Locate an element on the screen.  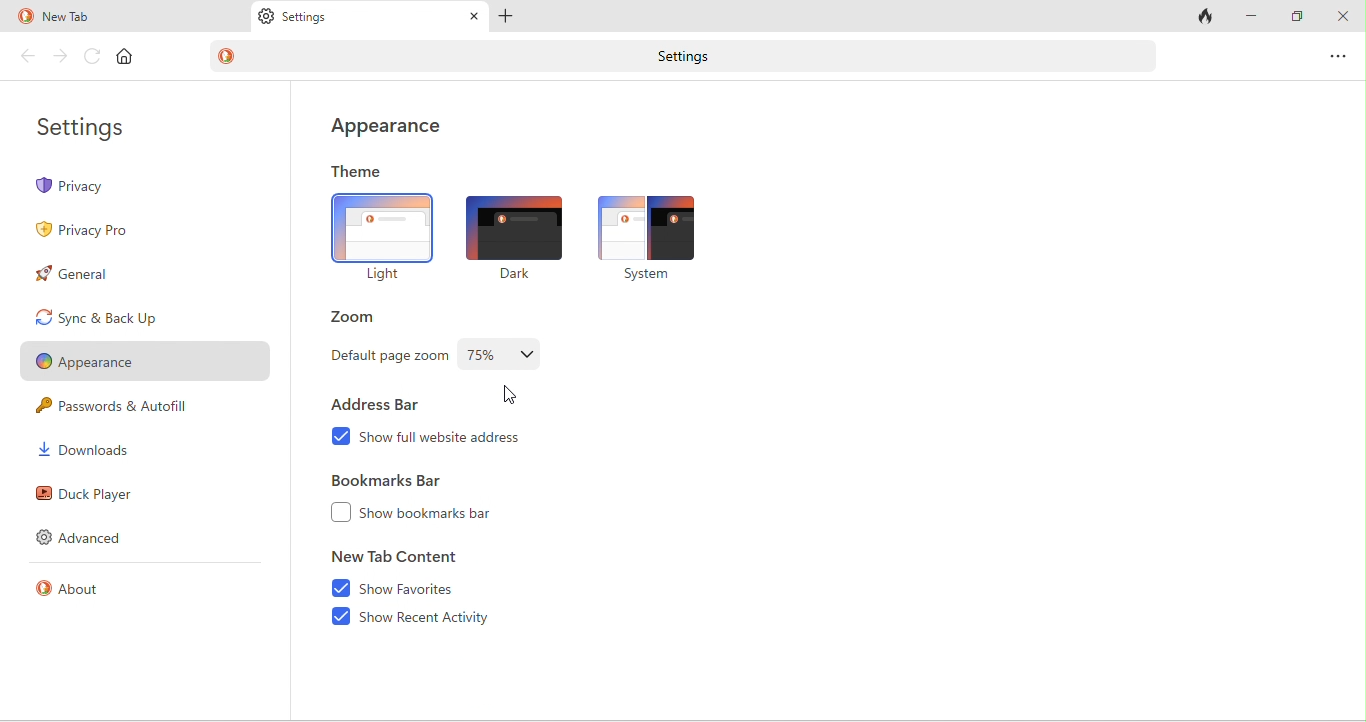
privacy is located at coordinates (147, 186).